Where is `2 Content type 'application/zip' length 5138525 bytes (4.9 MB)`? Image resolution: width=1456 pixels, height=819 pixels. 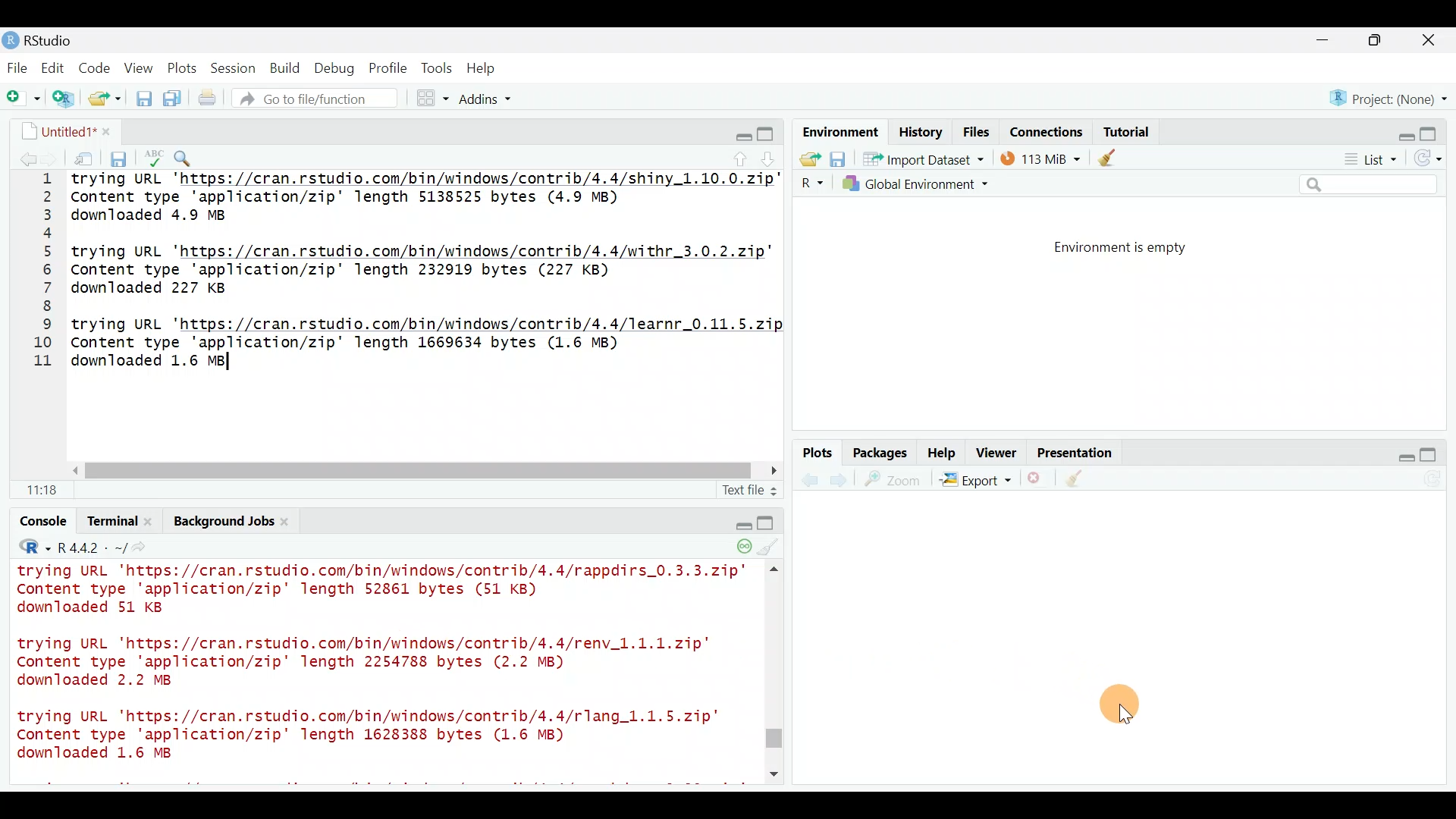
2 Content type 'application/zip' length 5138525 bytes (4.9 MB) is located at coordinates (334, 197).